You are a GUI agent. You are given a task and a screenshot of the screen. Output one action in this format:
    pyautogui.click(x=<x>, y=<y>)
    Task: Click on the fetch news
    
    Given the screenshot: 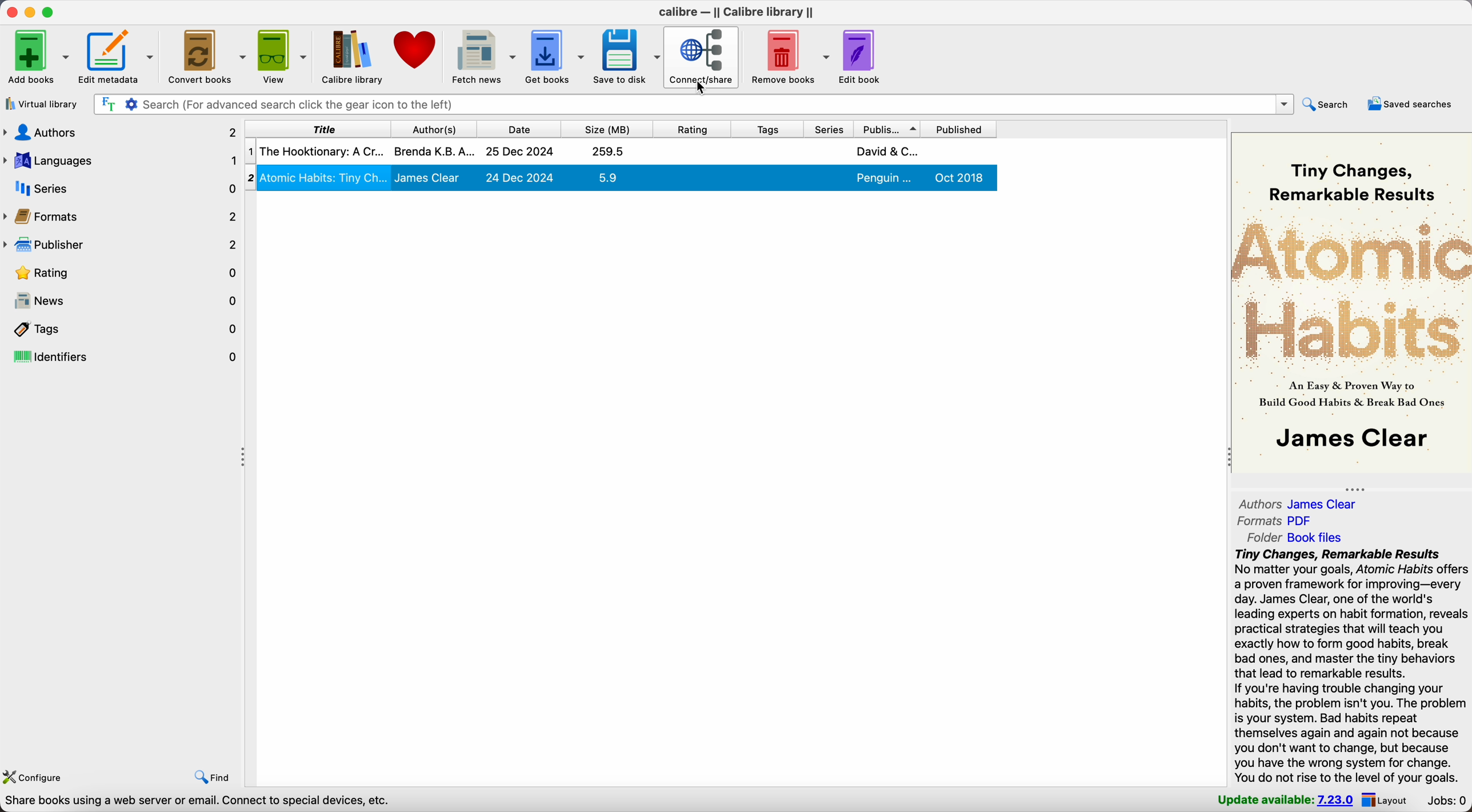 What is the action you would take?
    pyautogui.click(x=484, y=56)
    